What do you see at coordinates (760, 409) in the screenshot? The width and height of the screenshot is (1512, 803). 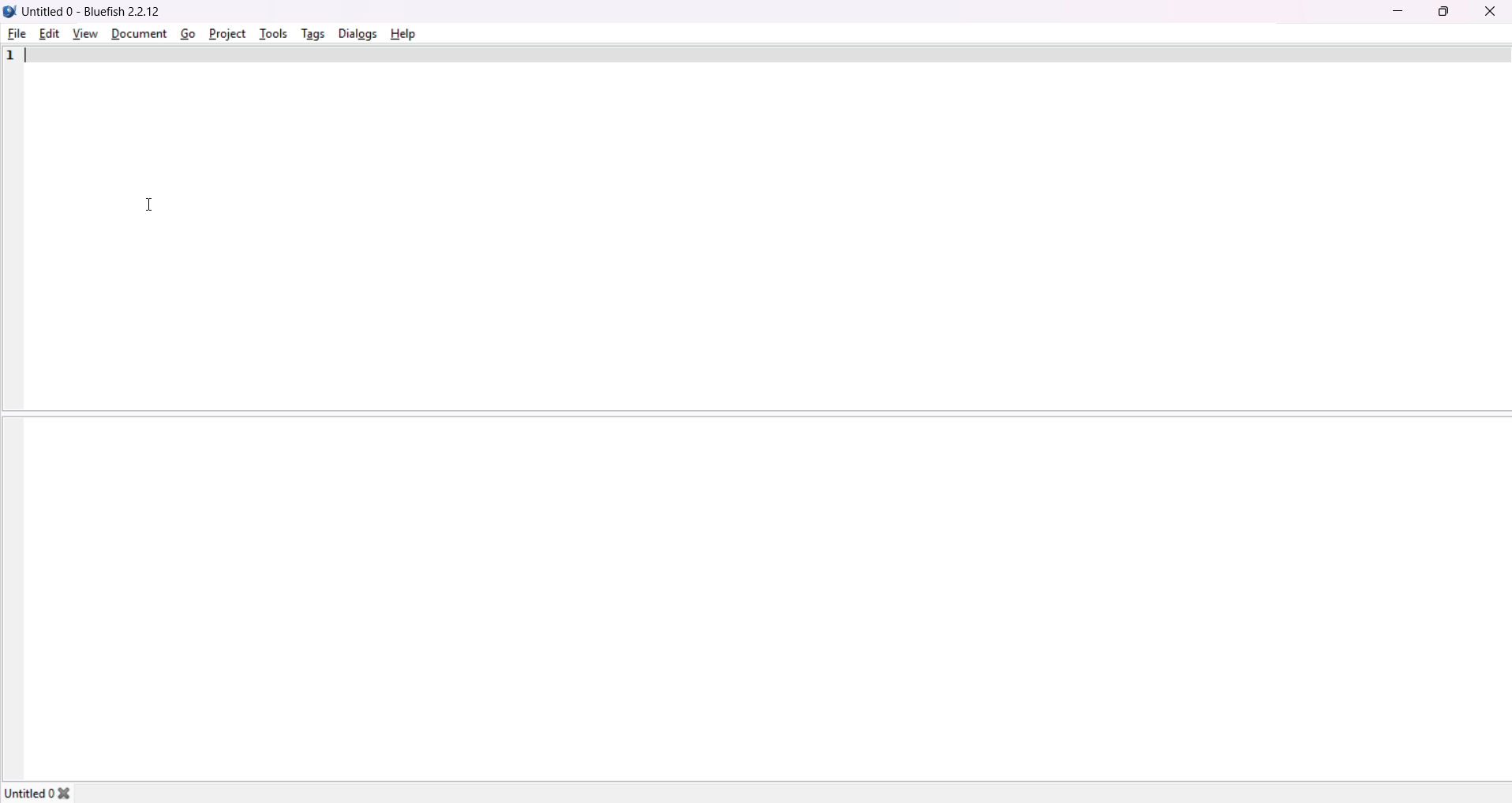 I see `Demarcating line` at bounding box center [760, 409].